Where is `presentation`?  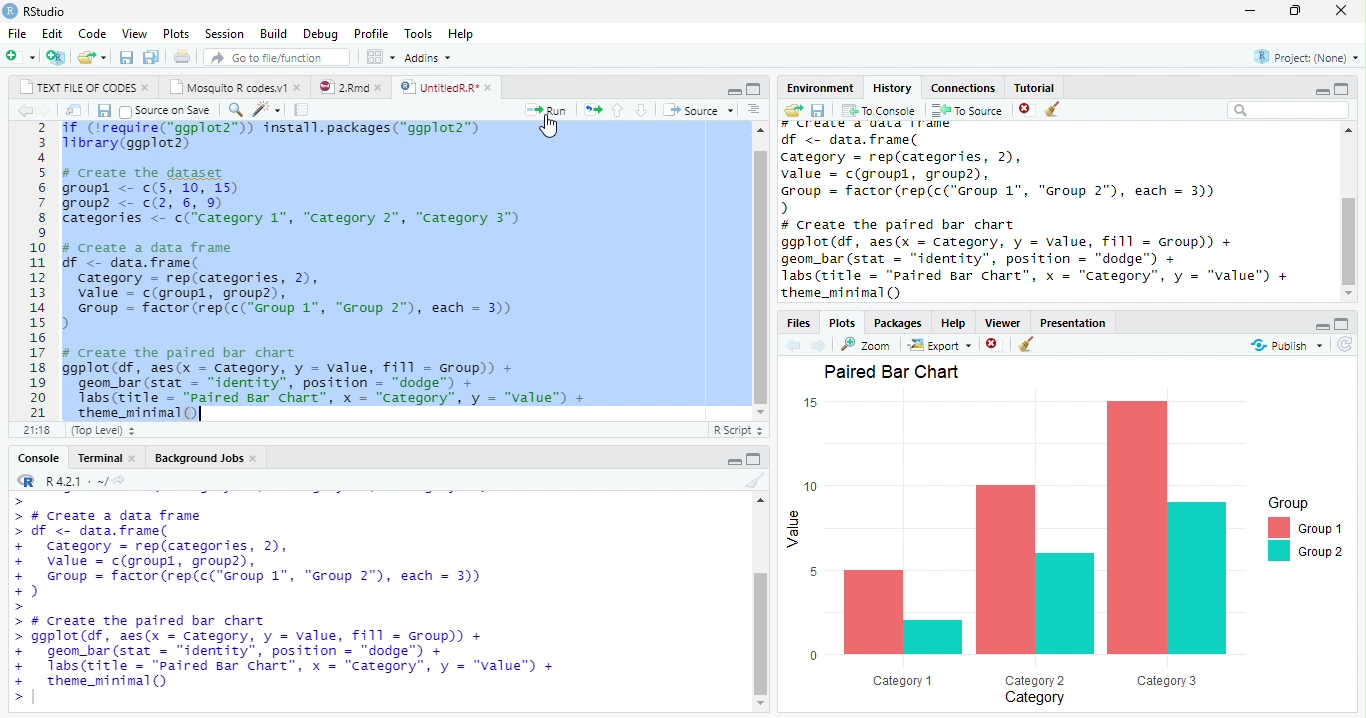 presentation is located at coordinates (1083, 321).